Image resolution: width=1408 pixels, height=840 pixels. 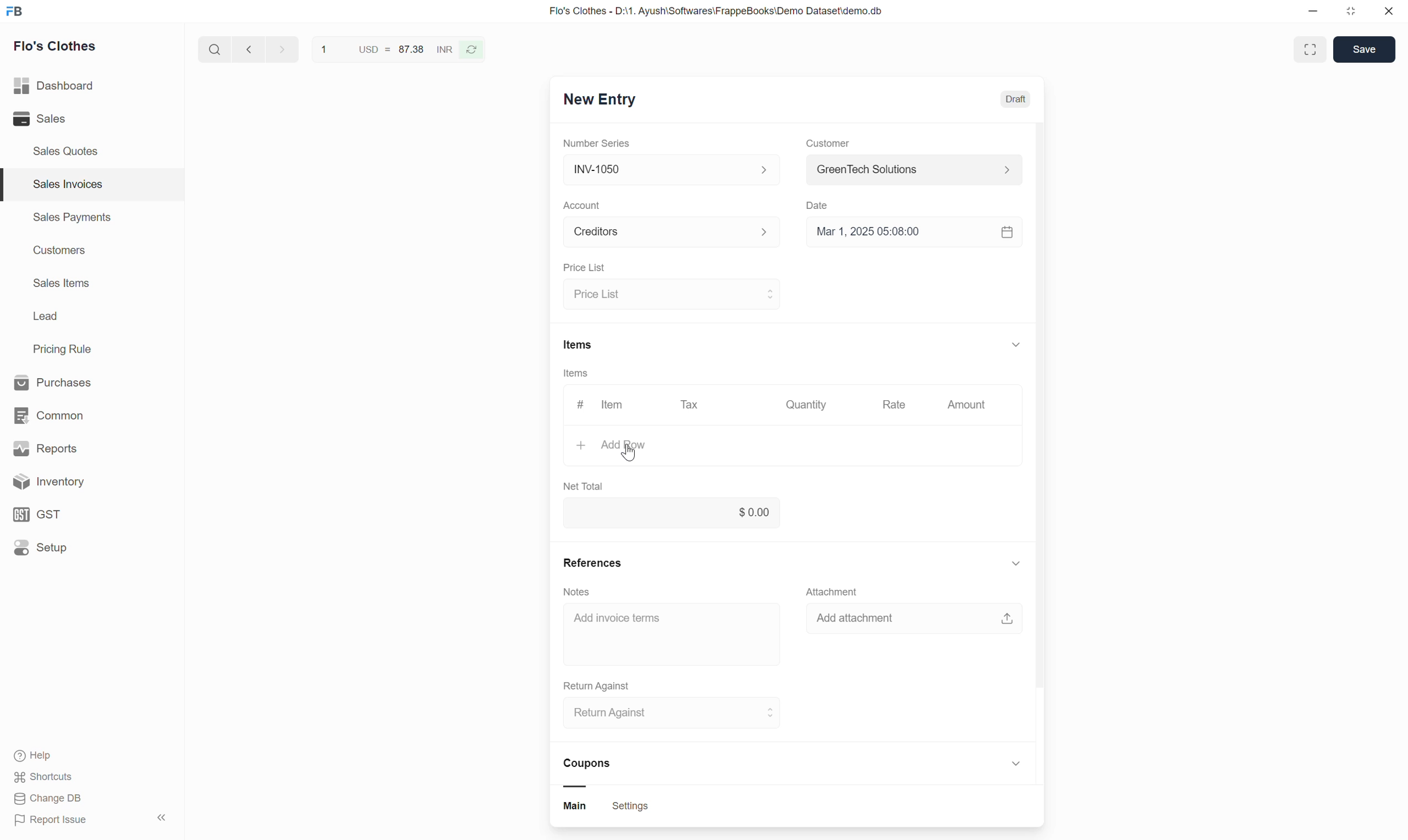 What do you see at coordinates (669, 169) in the screenshot?
I see `Select Number series` at bounding box center [669, 169].